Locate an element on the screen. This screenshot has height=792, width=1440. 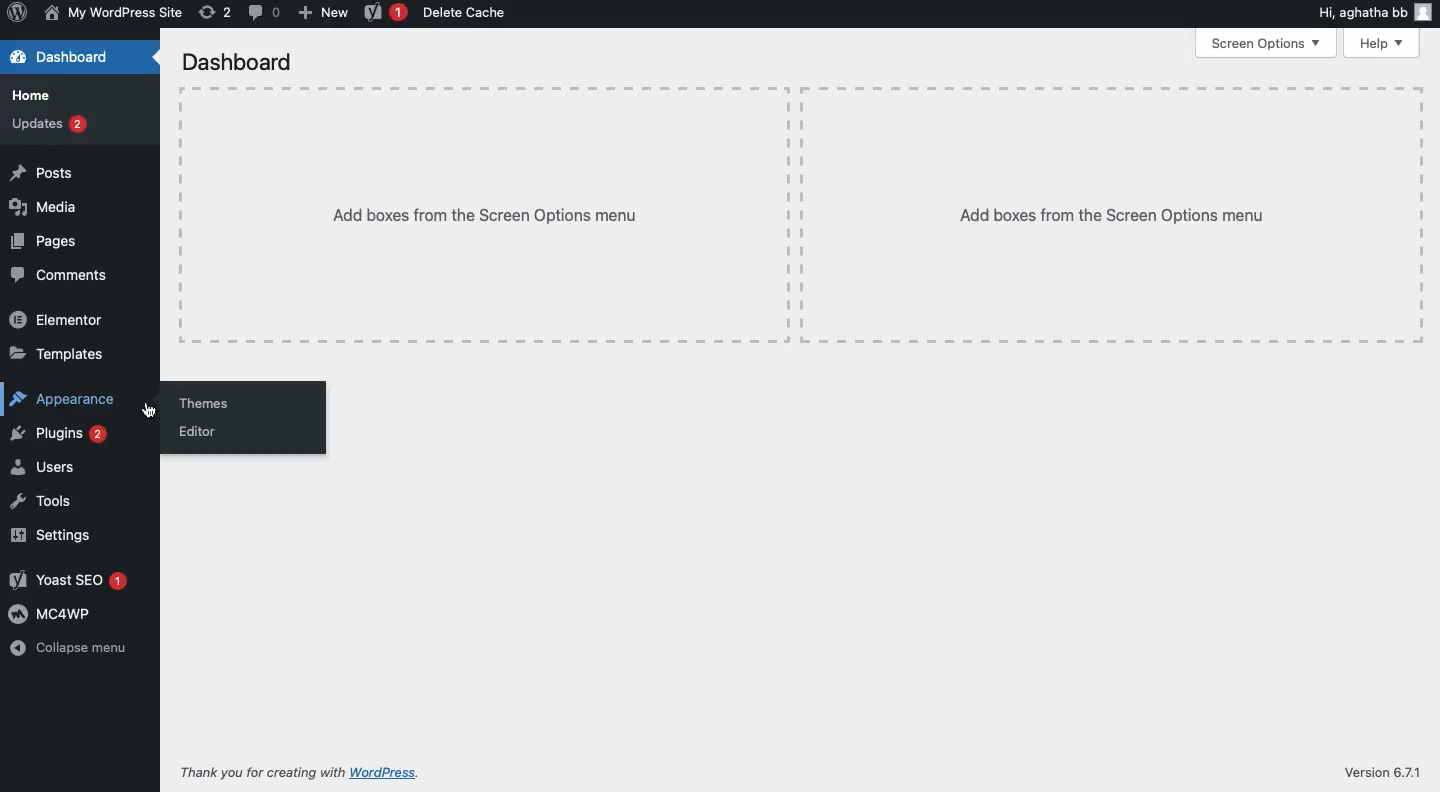
Comments is located at coordinates (67, 276).